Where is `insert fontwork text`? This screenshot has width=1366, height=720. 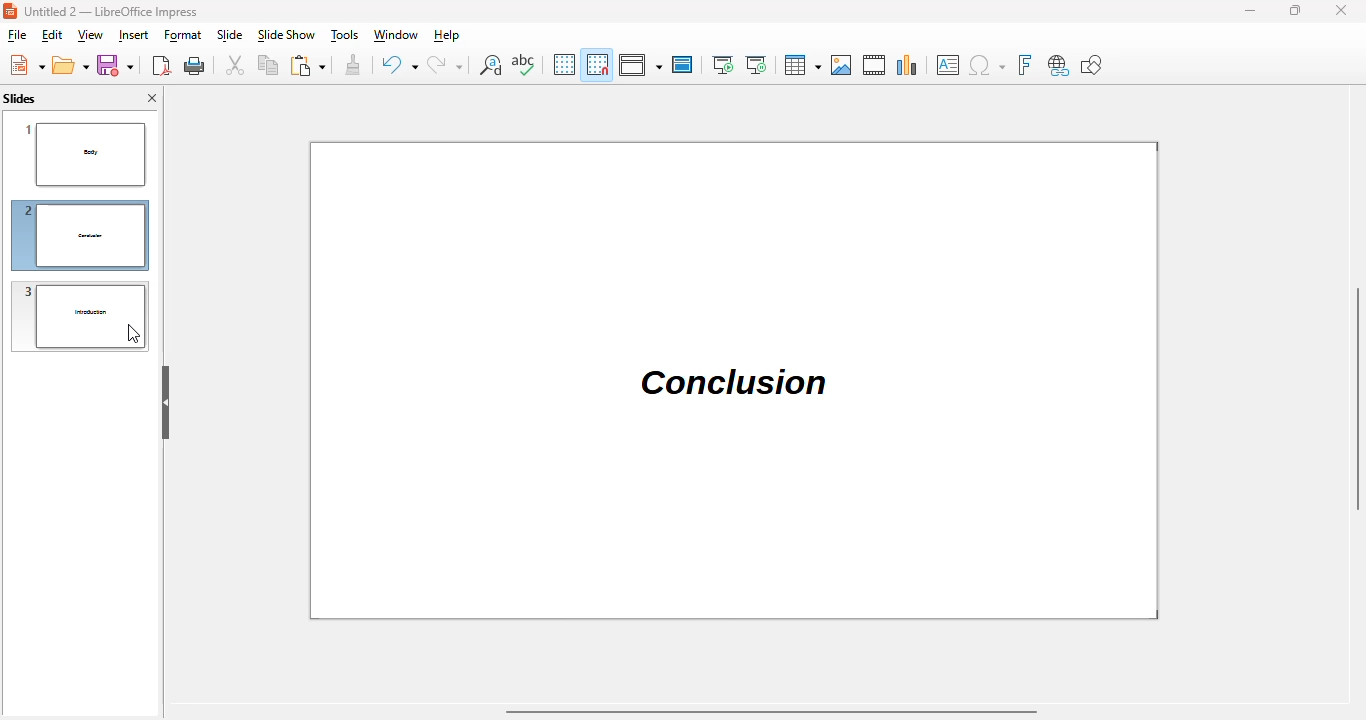 insert fontwork text is located at coordinates (1024, 65).